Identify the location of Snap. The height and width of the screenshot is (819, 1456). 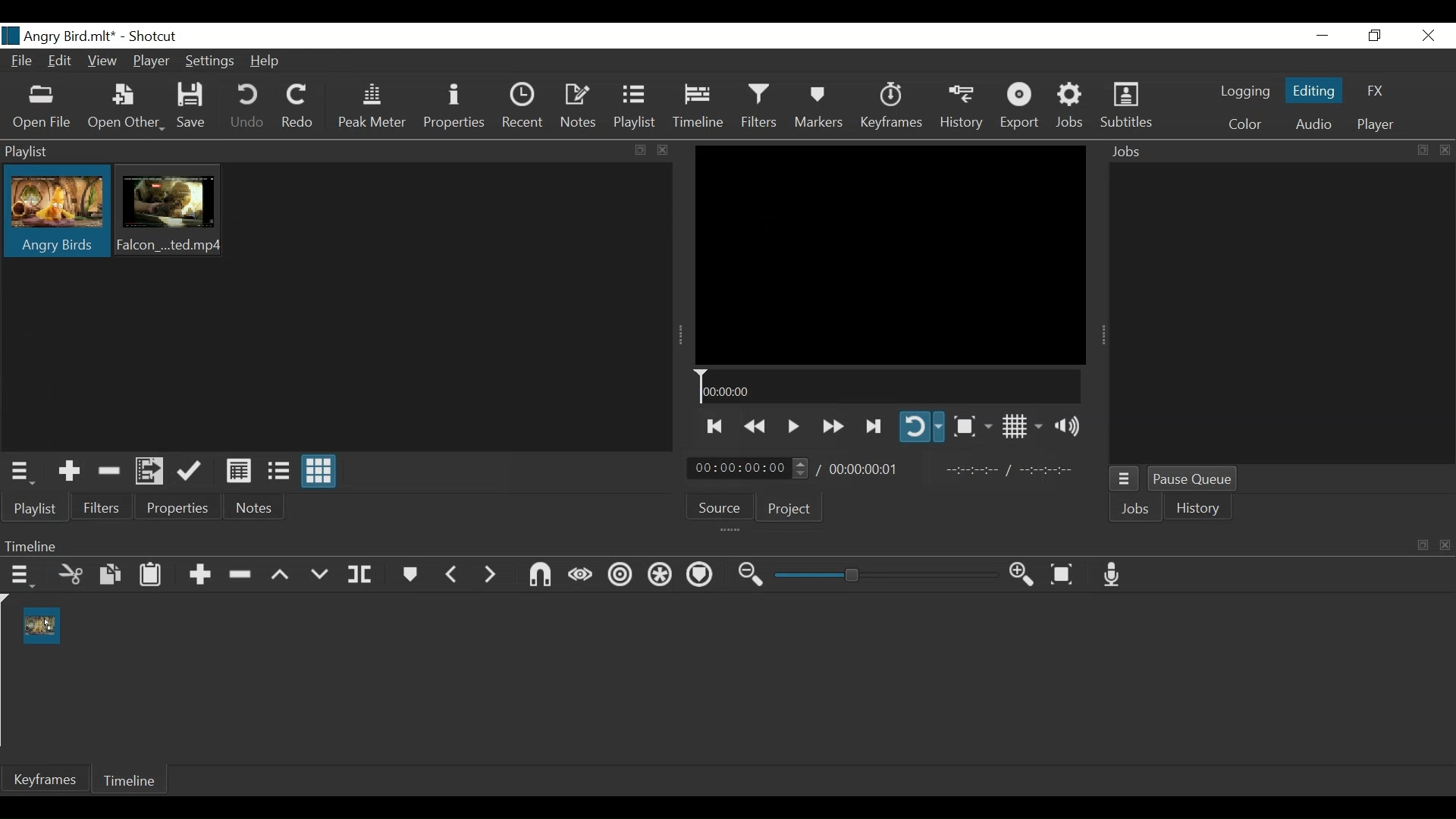
(538, 576).